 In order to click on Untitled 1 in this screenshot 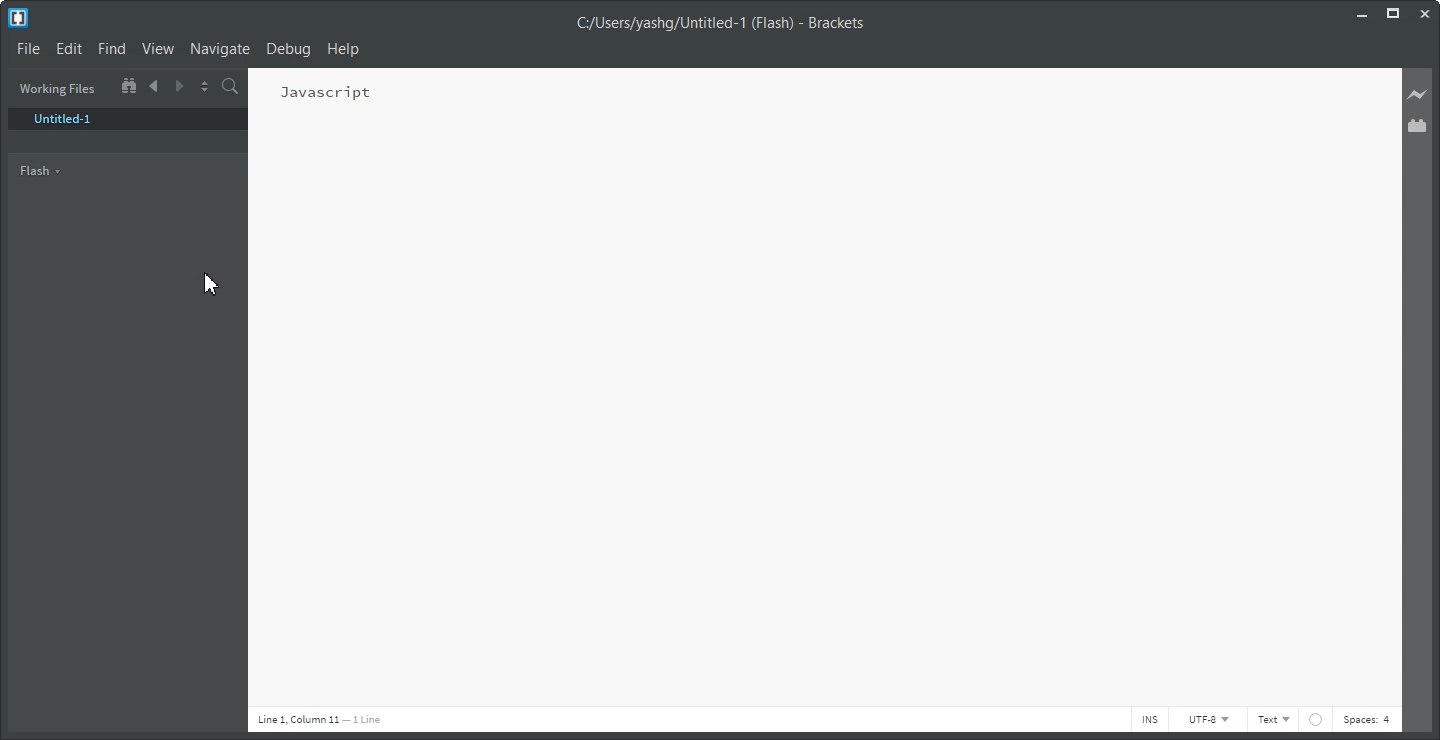, I will do `click(86, 118)`.